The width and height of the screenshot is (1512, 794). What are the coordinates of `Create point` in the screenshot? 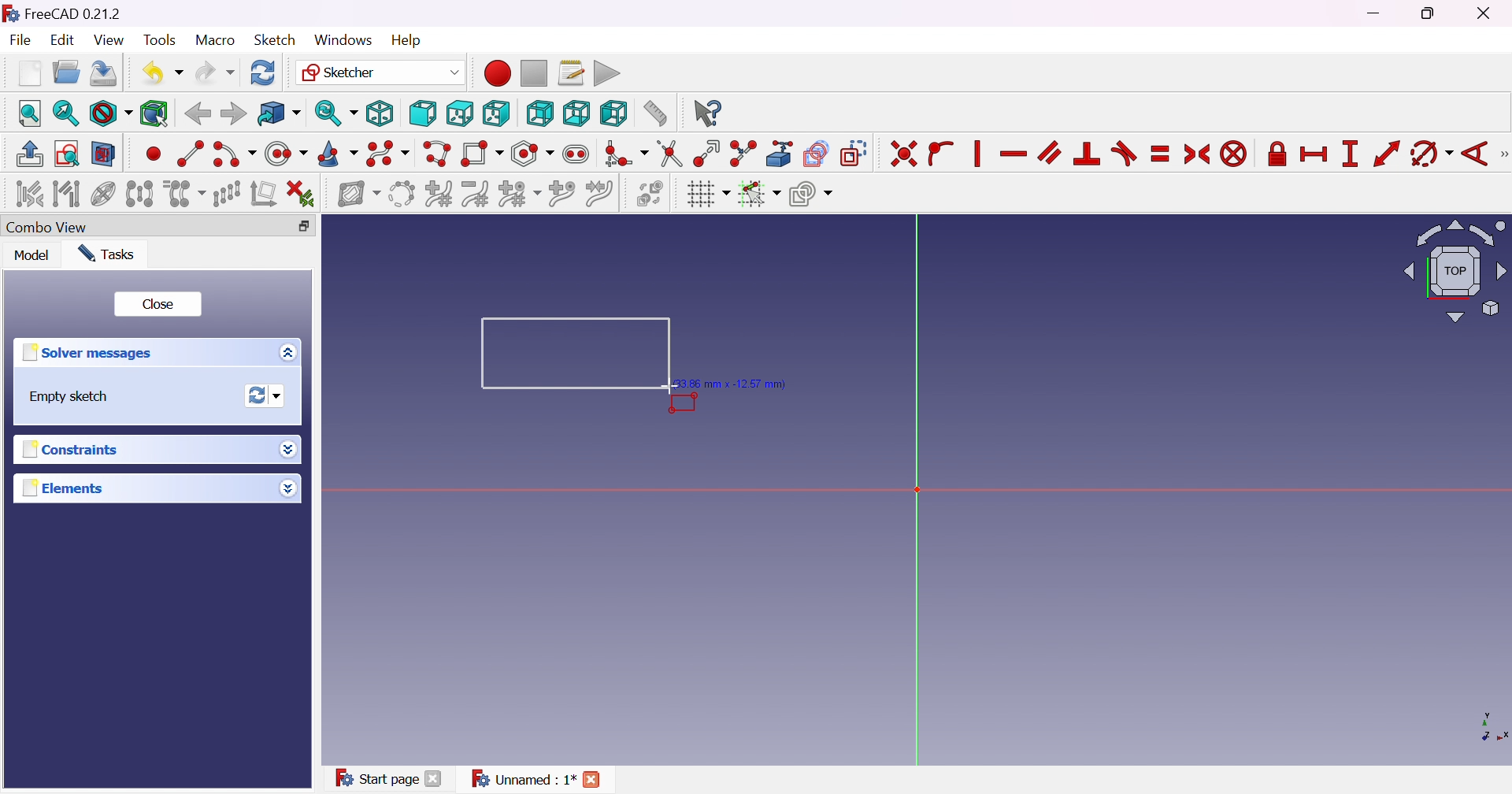 It's located at (153, 156).